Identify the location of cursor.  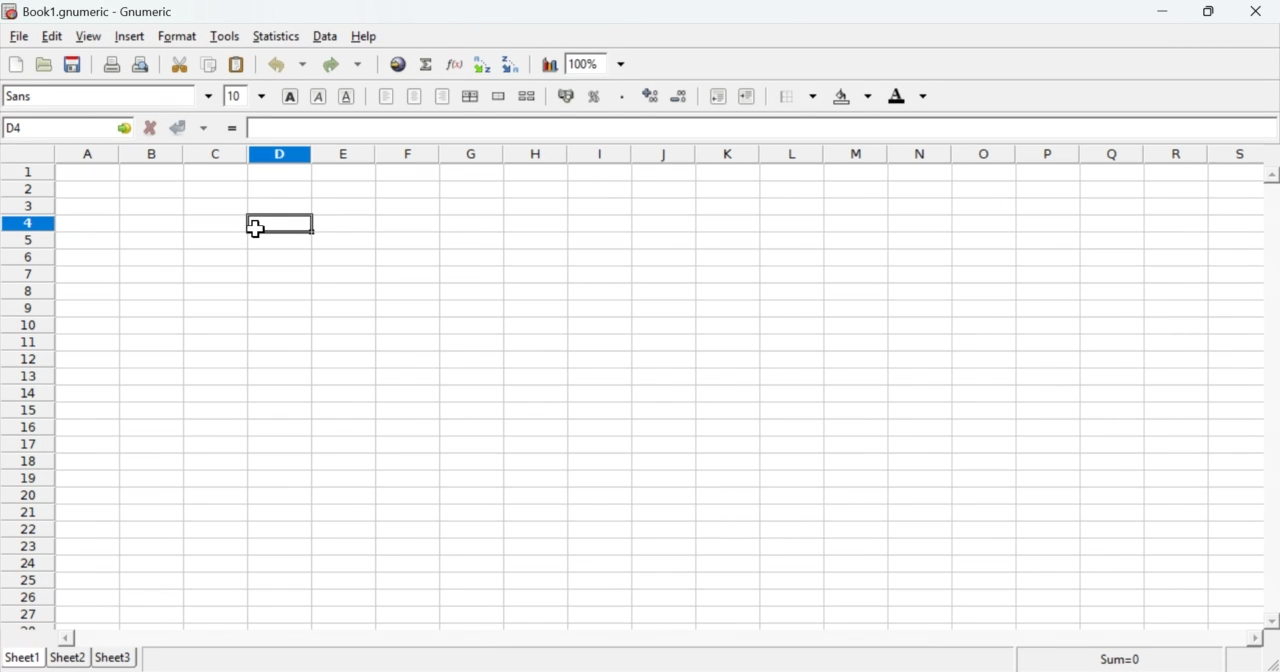
(257, 232).